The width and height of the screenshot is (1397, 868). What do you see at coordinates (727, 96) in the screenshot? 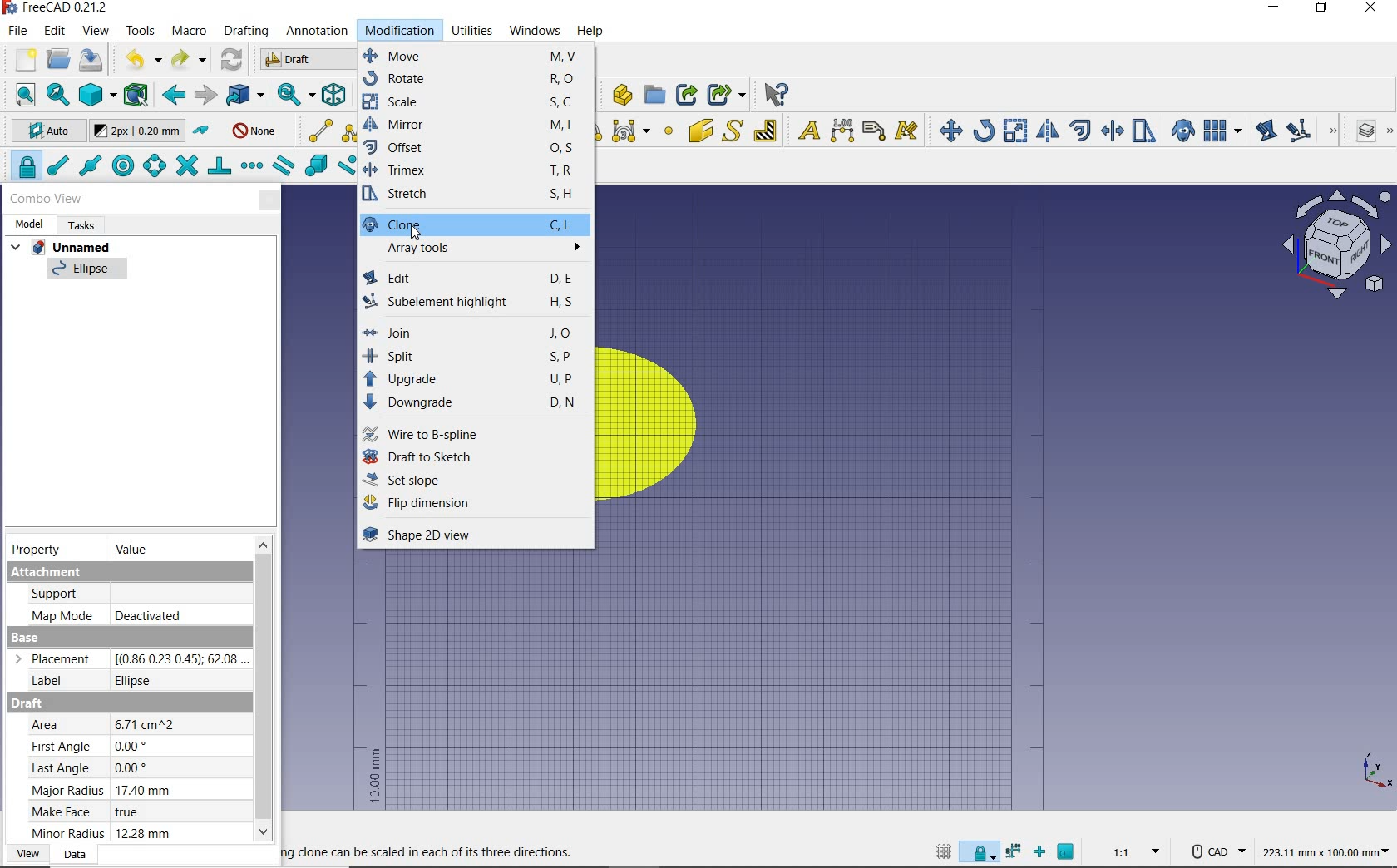
I see `make sub-link` at bounding box center [727, 96].